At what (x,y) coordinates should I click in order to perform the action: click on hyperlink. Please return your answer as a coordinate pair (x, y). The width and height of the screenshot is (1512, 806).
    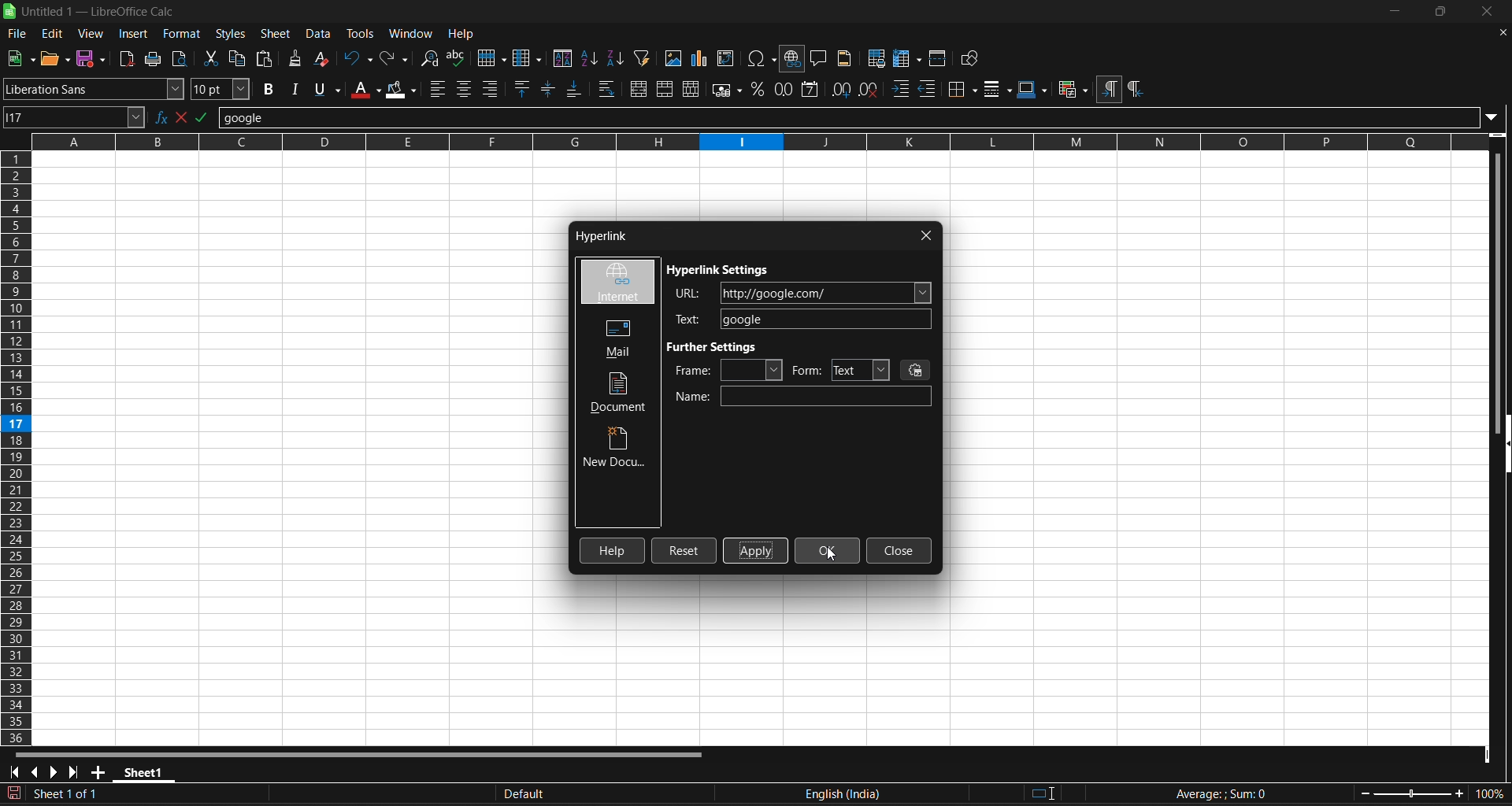
    Looking at the image, I should click on (598, 238).